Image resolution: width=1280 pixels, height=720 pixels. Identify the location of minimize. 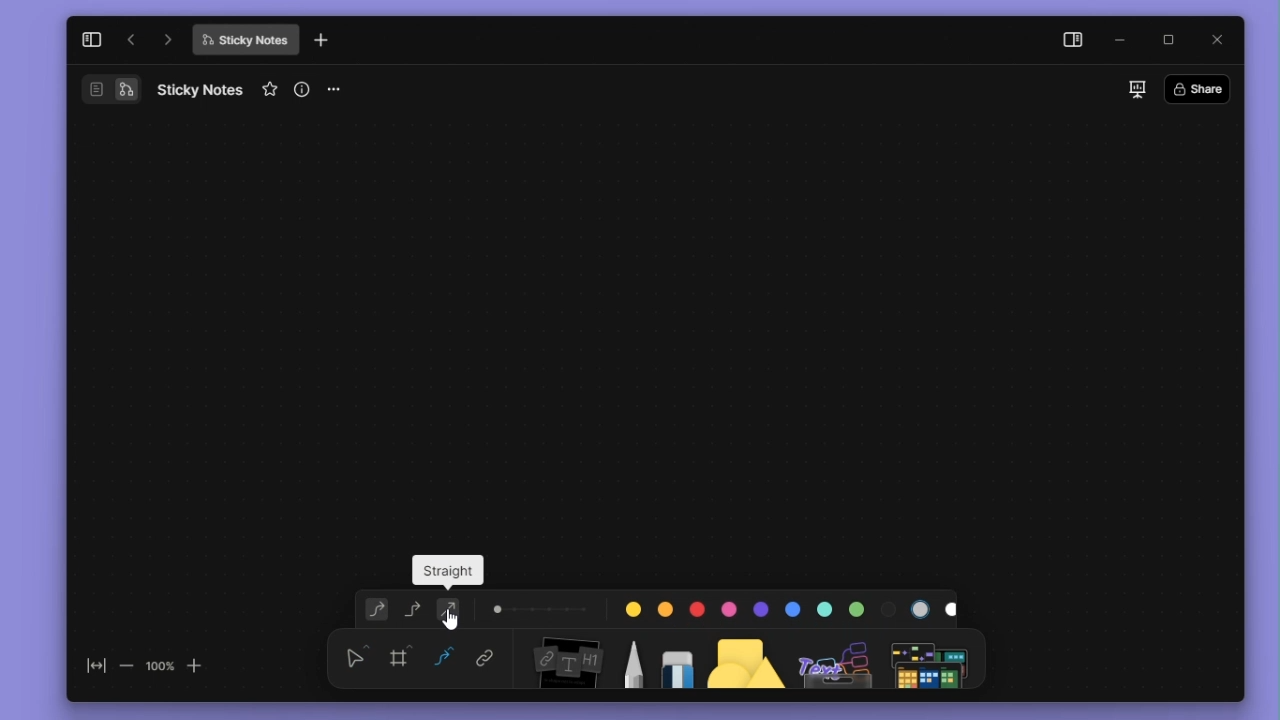
(1125, 41).